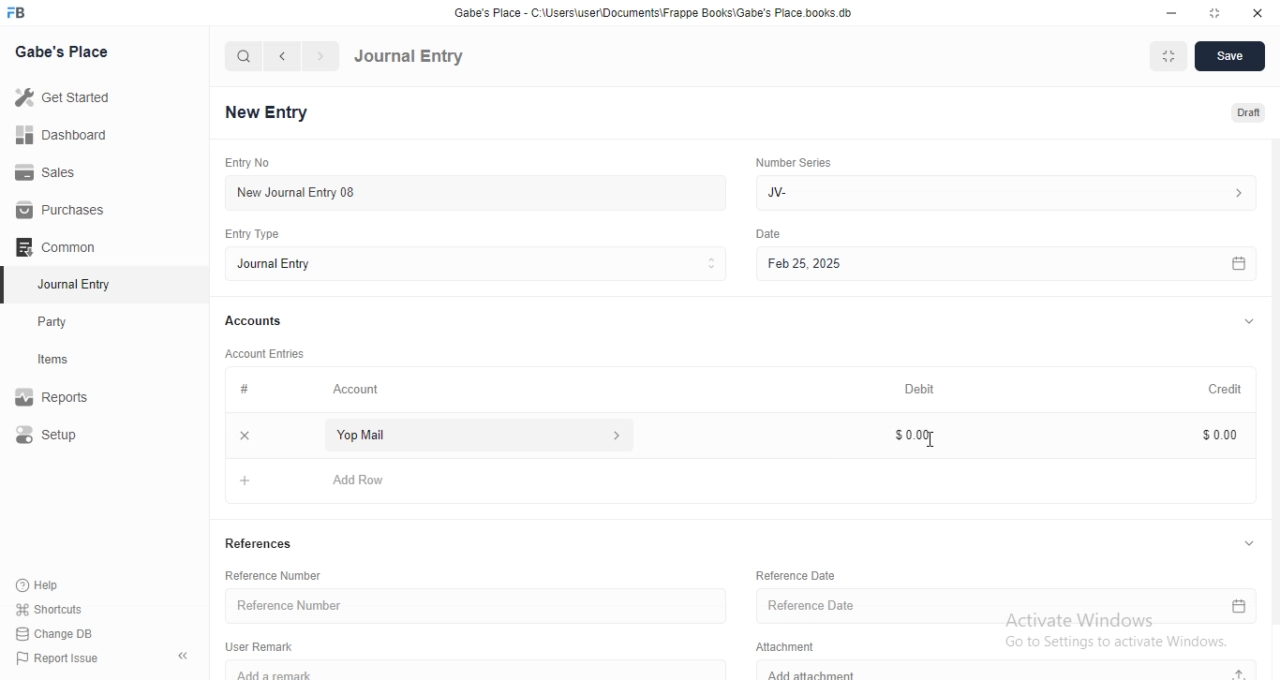 This screenshot has height=680, width=1280. Describe the element at coordinates (67, 397) in the screenshot. I see `Report` at that location.